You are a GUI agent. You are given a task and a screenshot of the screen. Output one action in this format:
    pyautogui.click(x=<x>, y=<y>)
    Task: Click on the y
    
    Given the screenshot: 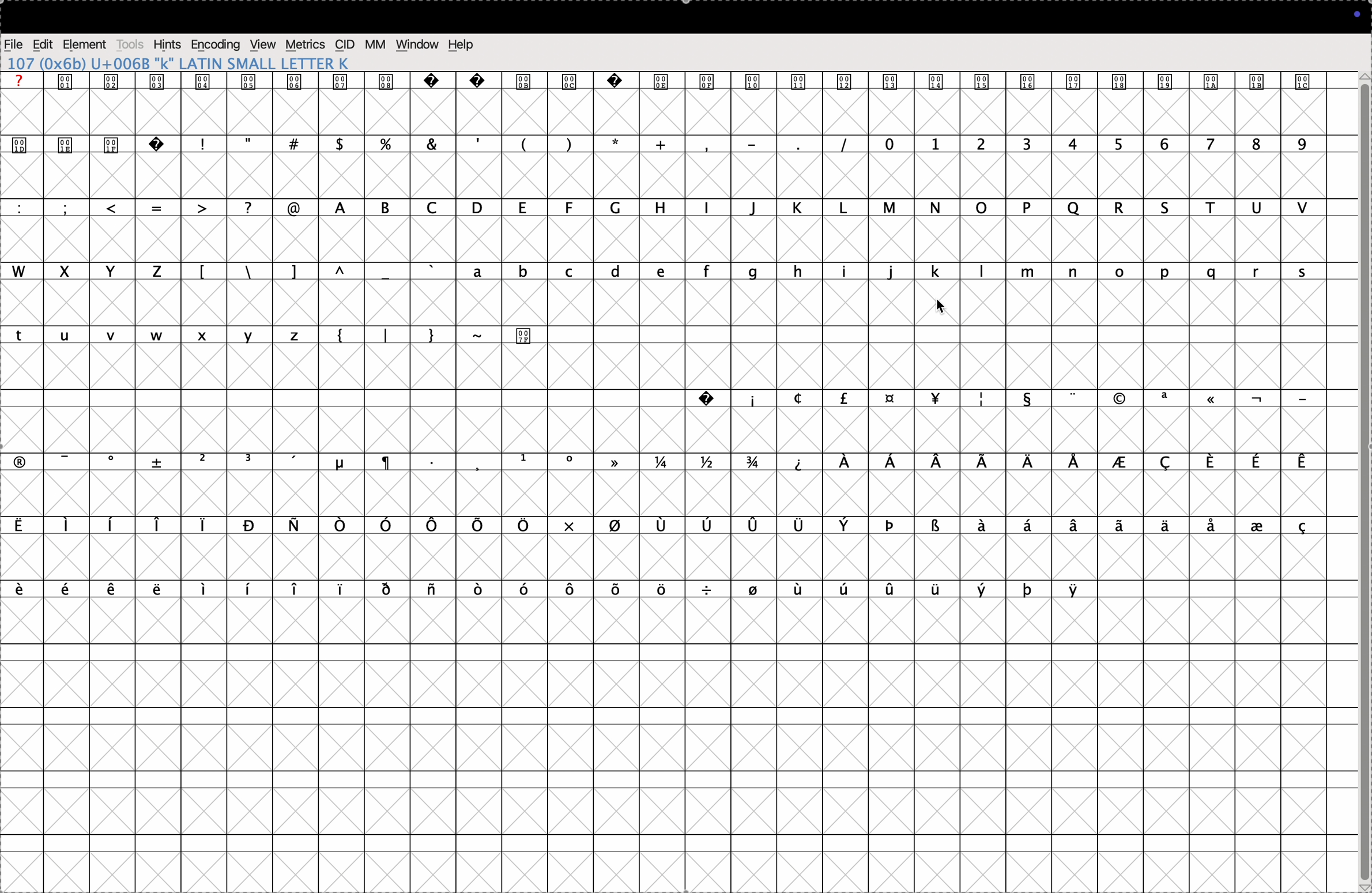 What is the action you would take?
    pyautogui.click(x=250, y=335)
    